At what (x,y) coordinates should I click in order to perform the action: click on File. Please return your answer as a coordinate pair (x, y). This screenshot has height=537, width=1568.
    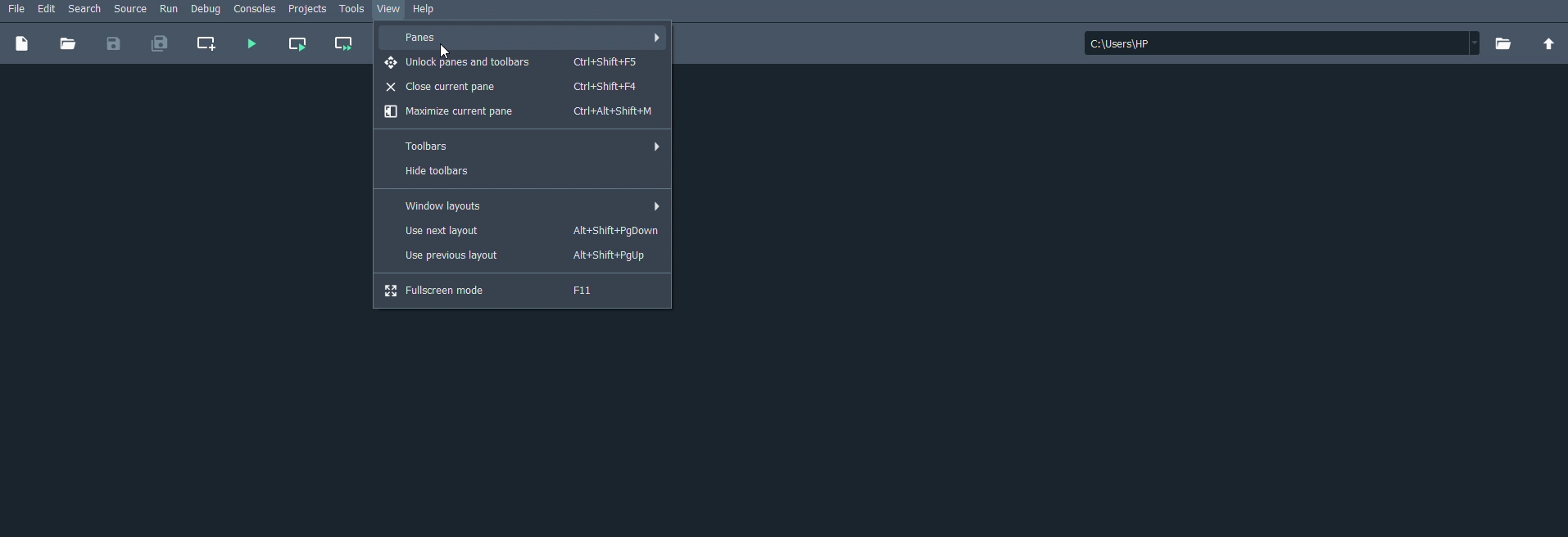
    Looking at the image, I should click on (14, 8).